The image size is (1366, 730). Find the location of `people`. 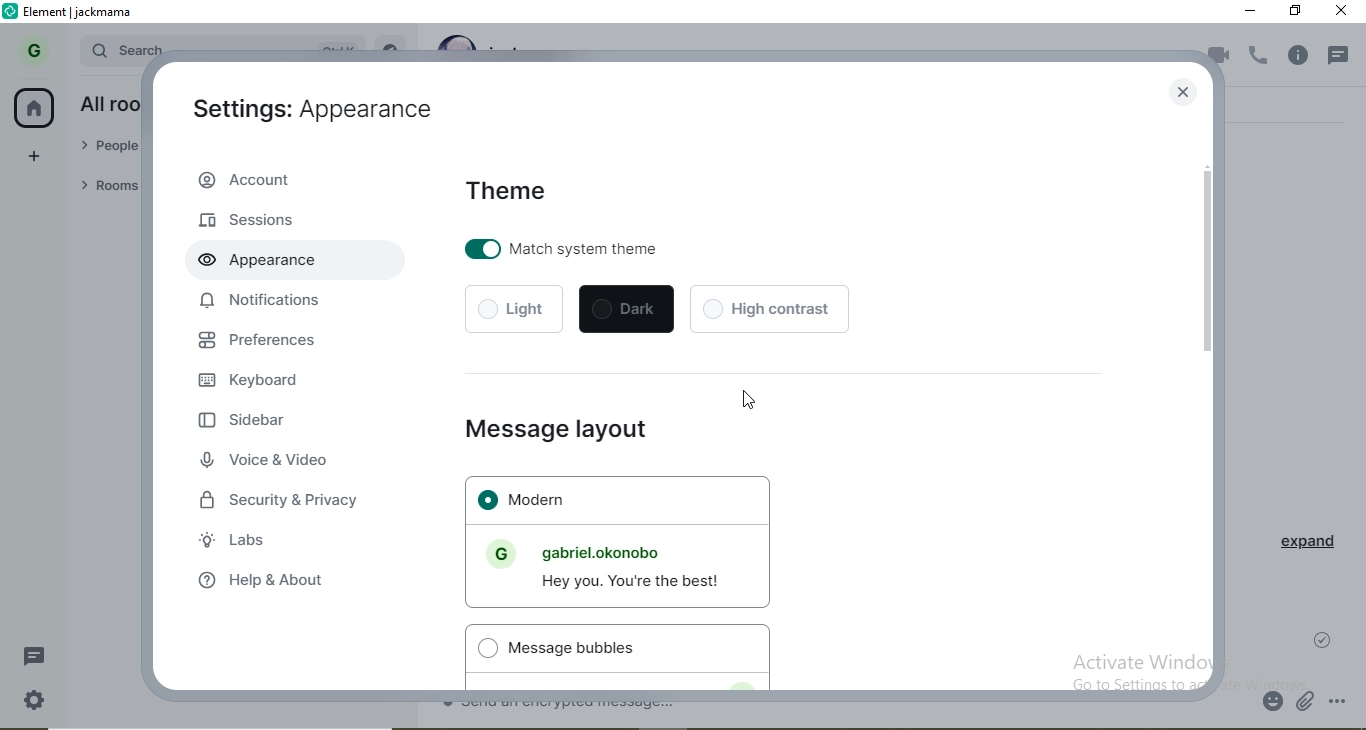

people is located at coordinates (109, 148).